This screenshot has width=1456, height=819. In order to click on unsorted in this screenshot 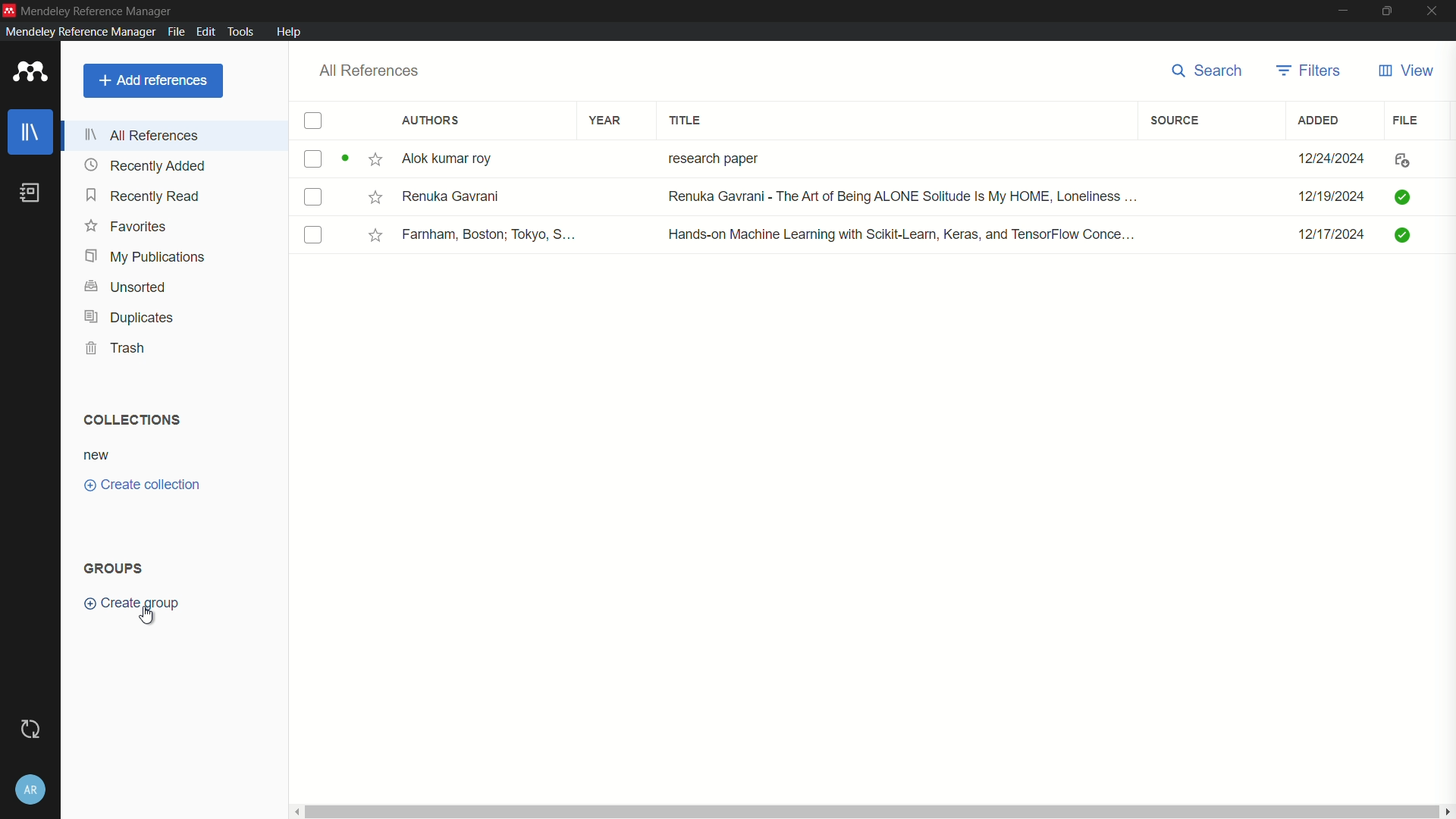, I will do `click(126, 285)`.